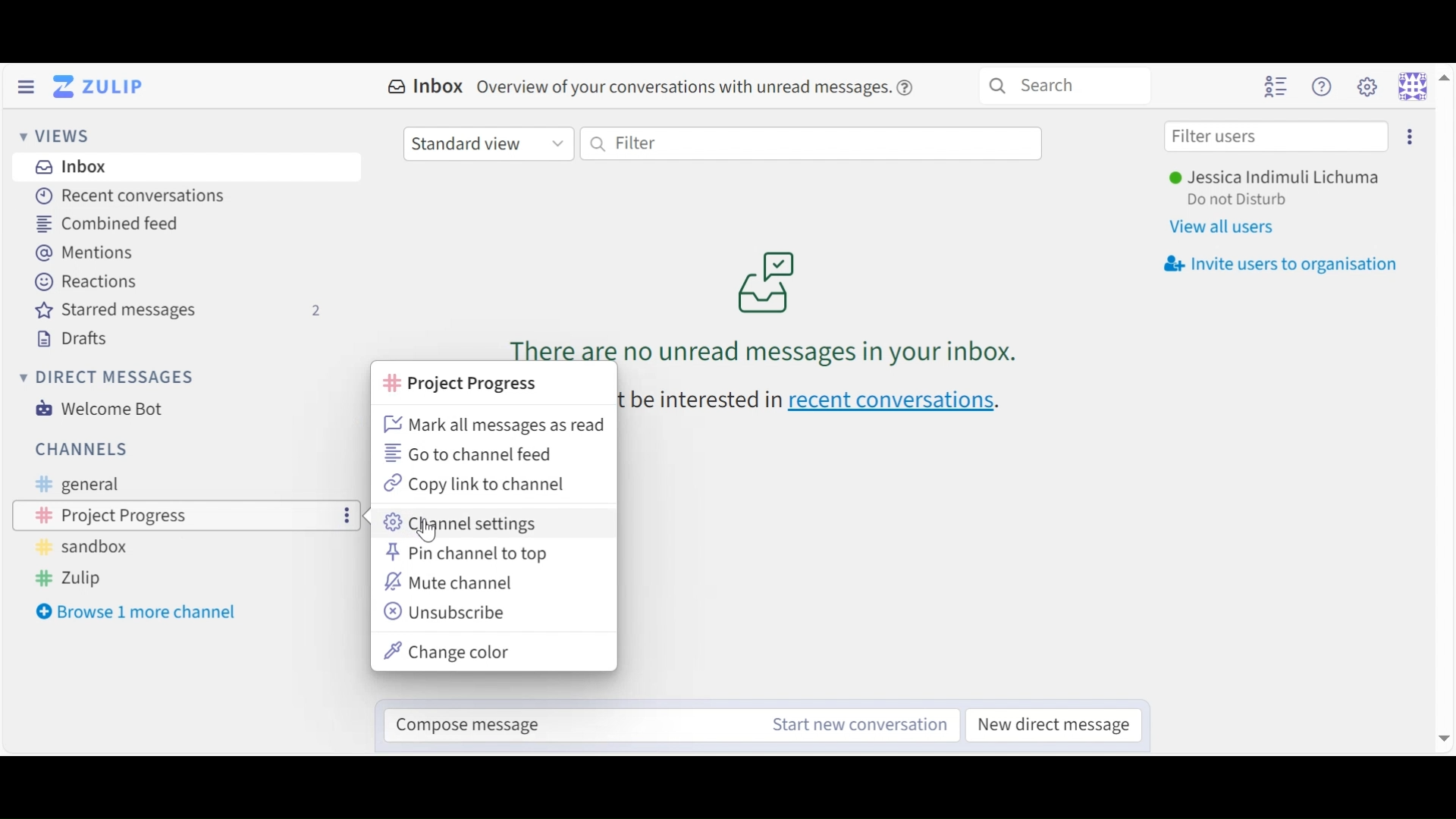  Describe the element at coordinates (1414, 137) in the screenshot. I see `settings` at that location.